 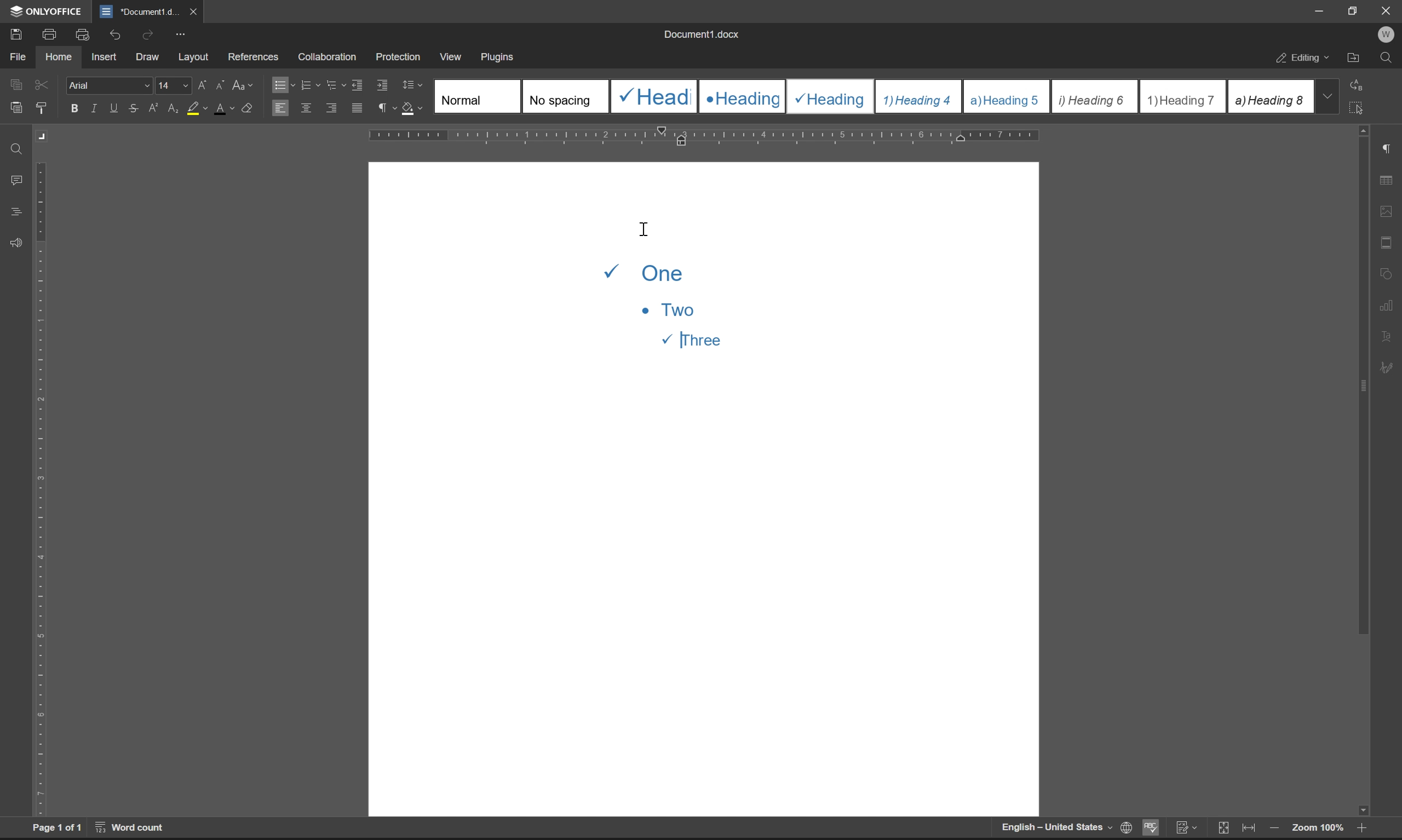 What do you see at coordinates (1223, 829) in the screenshot?
I see `fit to slide` at bounding box center [1223, 829].